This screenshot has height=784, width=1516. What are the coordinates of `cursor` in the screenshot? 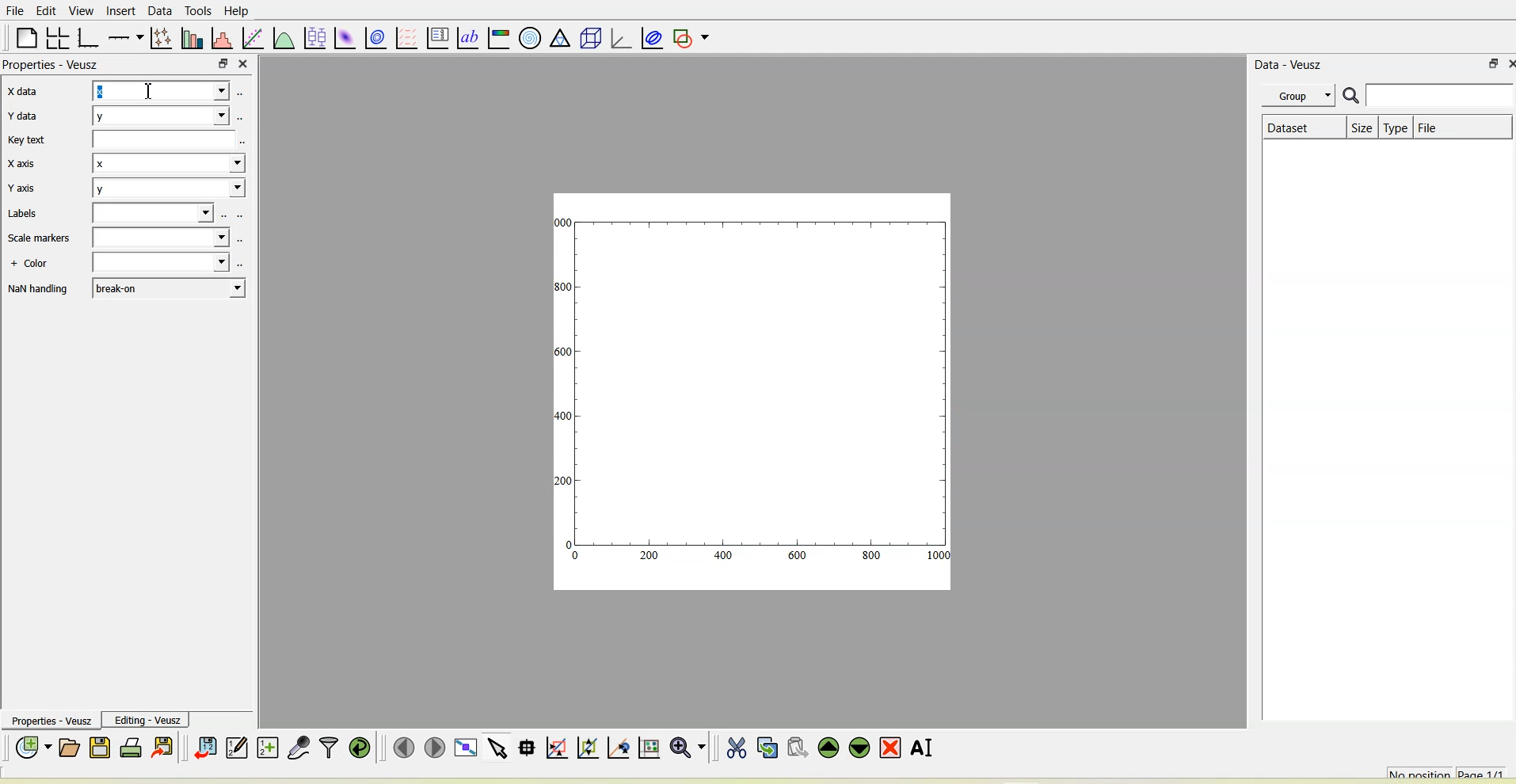 It's located at (150, 89).